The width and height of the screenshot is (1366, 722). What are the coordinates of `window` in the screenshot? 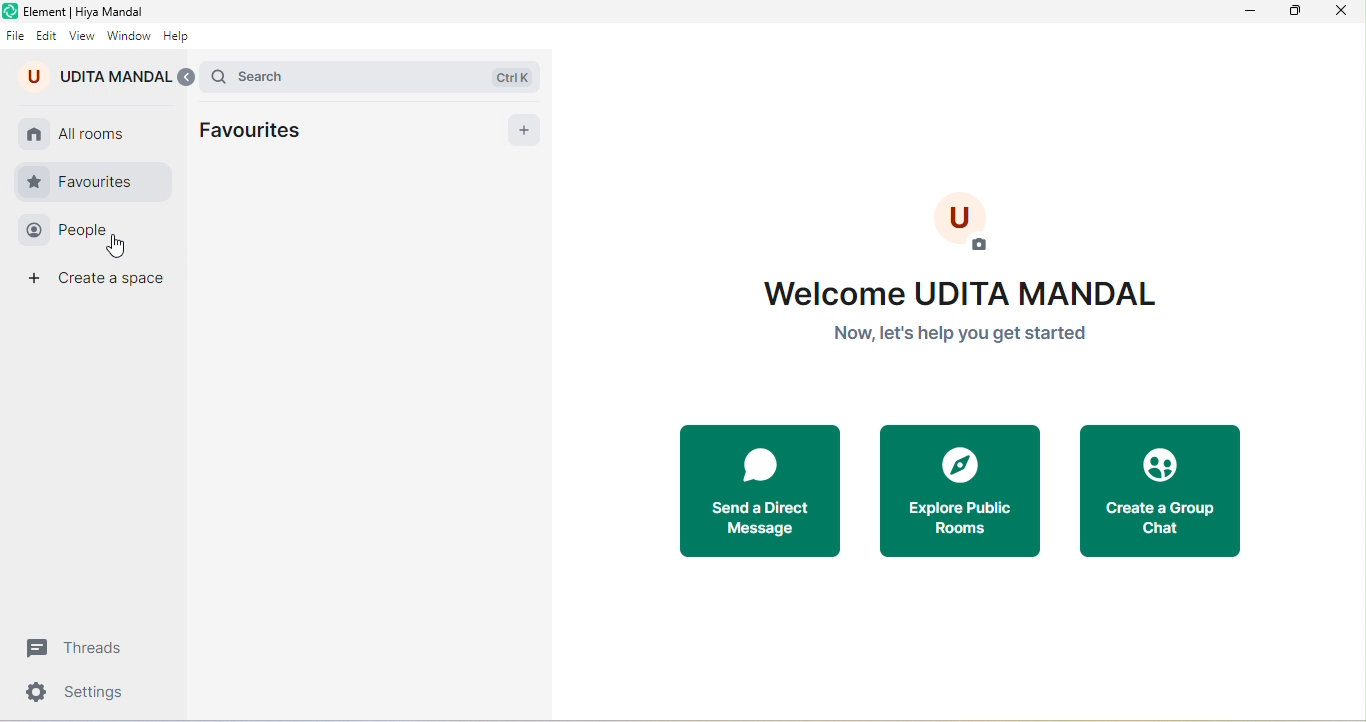 It's located at (129, 34).